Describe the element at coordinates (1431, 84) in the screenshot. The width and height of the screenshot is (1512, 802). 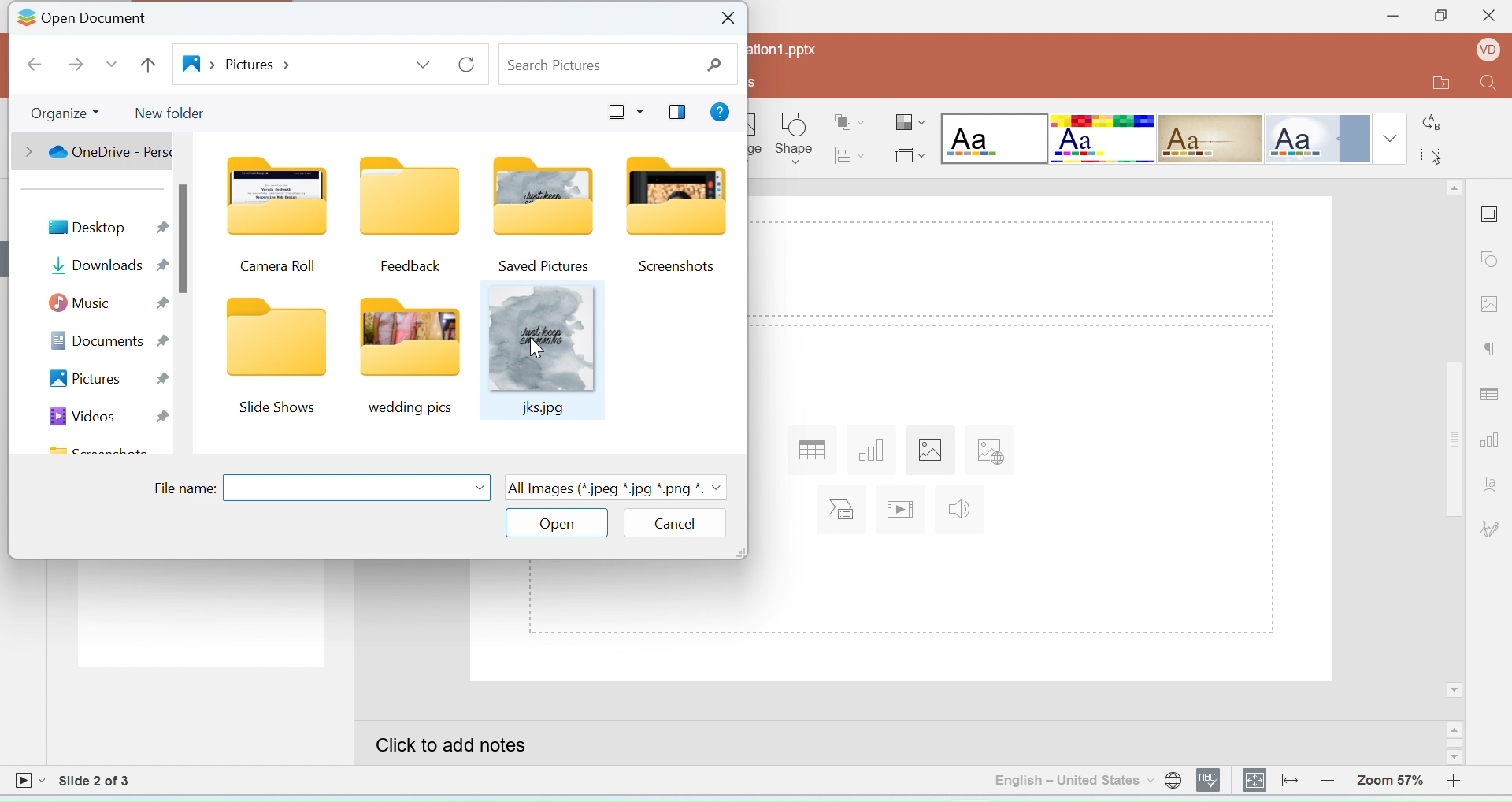
I see `Open file location` at that location.